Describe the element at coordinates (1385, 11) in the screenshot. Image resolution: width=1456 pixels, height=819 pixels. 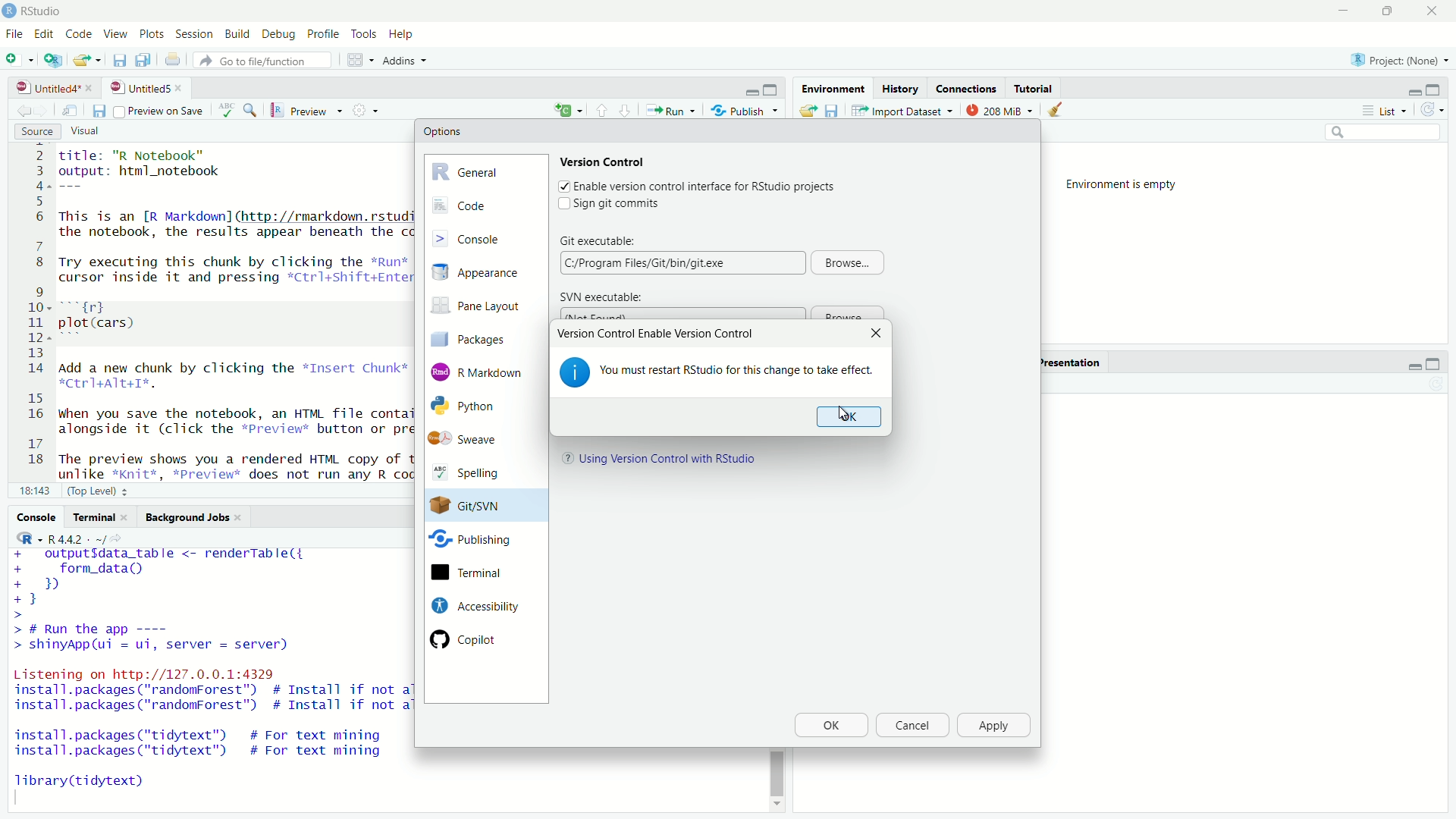
I see `maximise` at that location.